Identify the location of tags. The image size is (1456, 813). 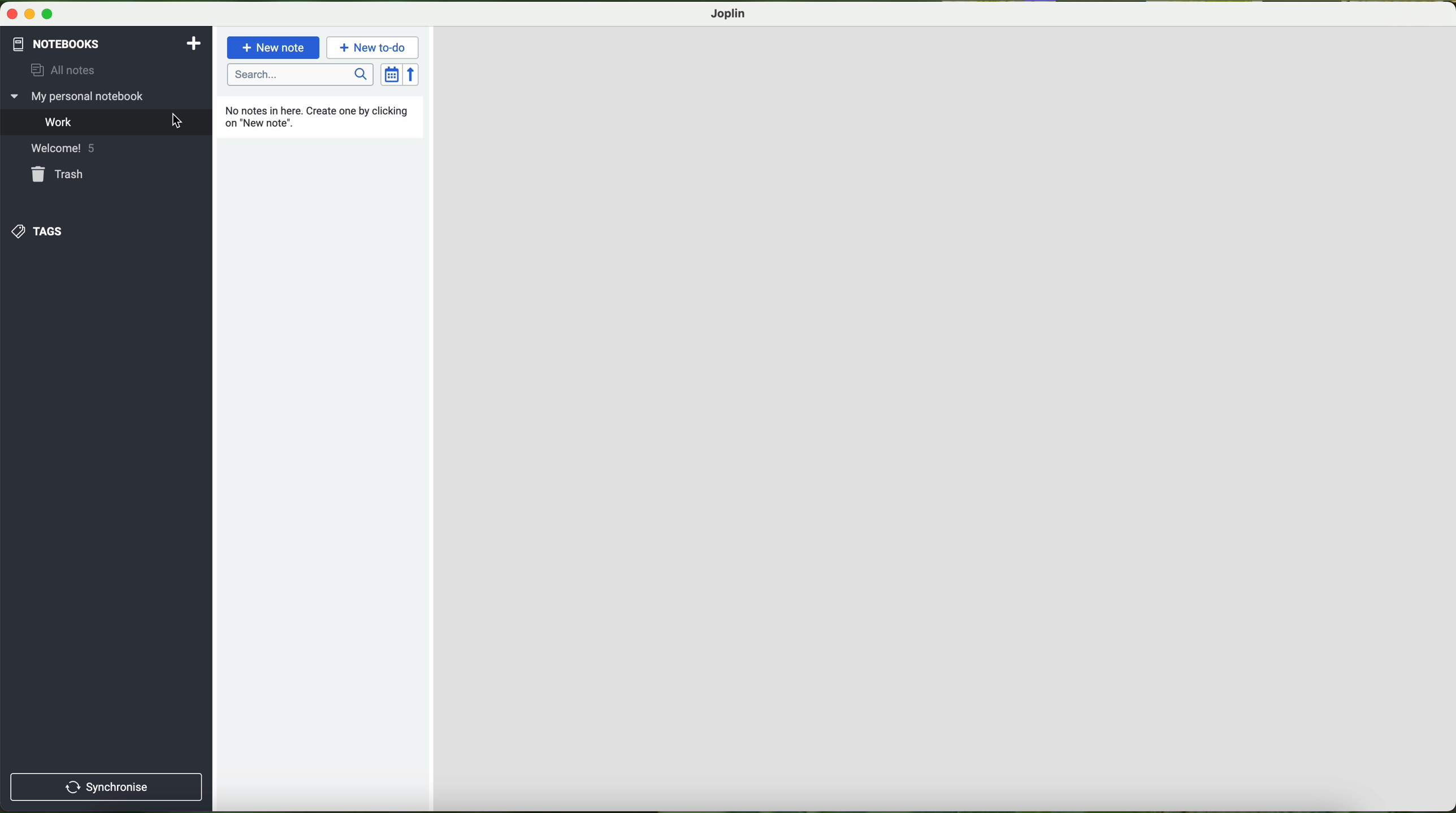
(40, 231).